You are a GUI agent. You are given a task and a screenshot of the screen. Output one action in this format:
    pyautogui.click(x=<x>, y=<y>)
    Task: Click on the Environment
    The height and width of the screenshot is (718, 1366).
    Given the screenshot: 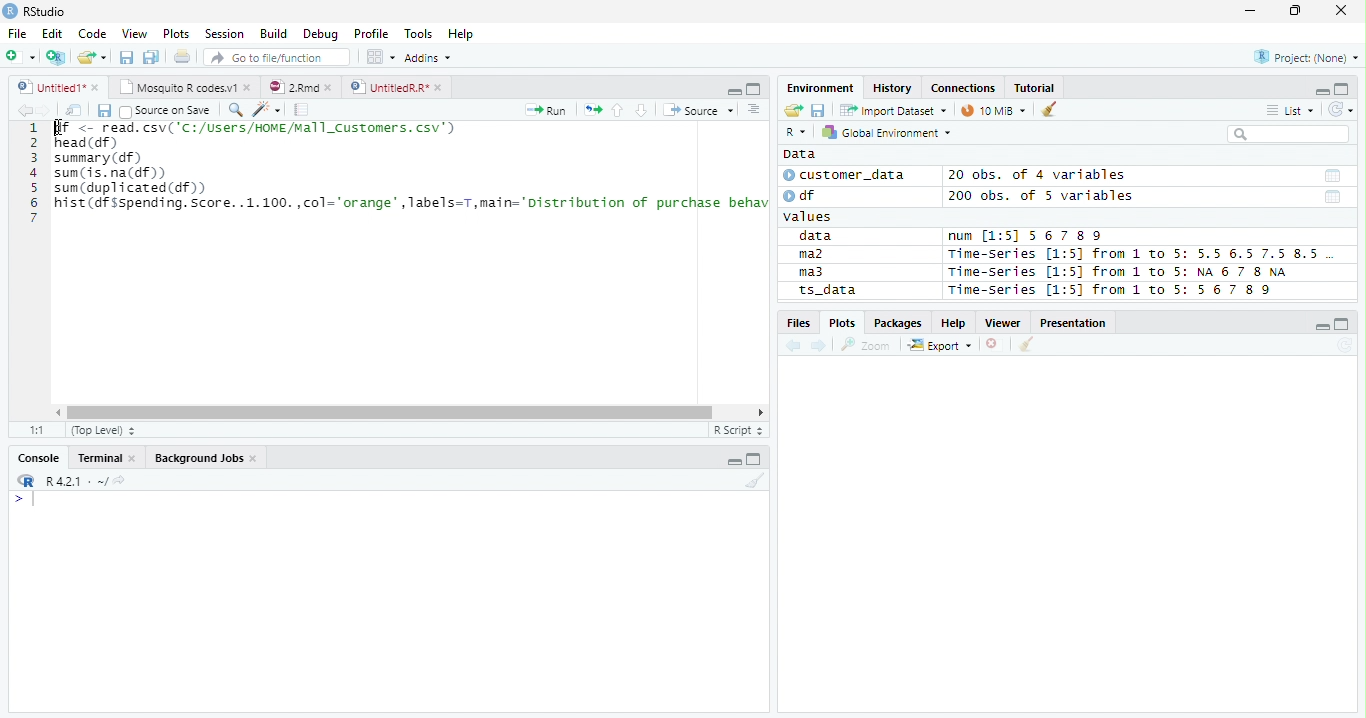 What is the action you would take?
    pyautogui.click(x=822, y=88)
    